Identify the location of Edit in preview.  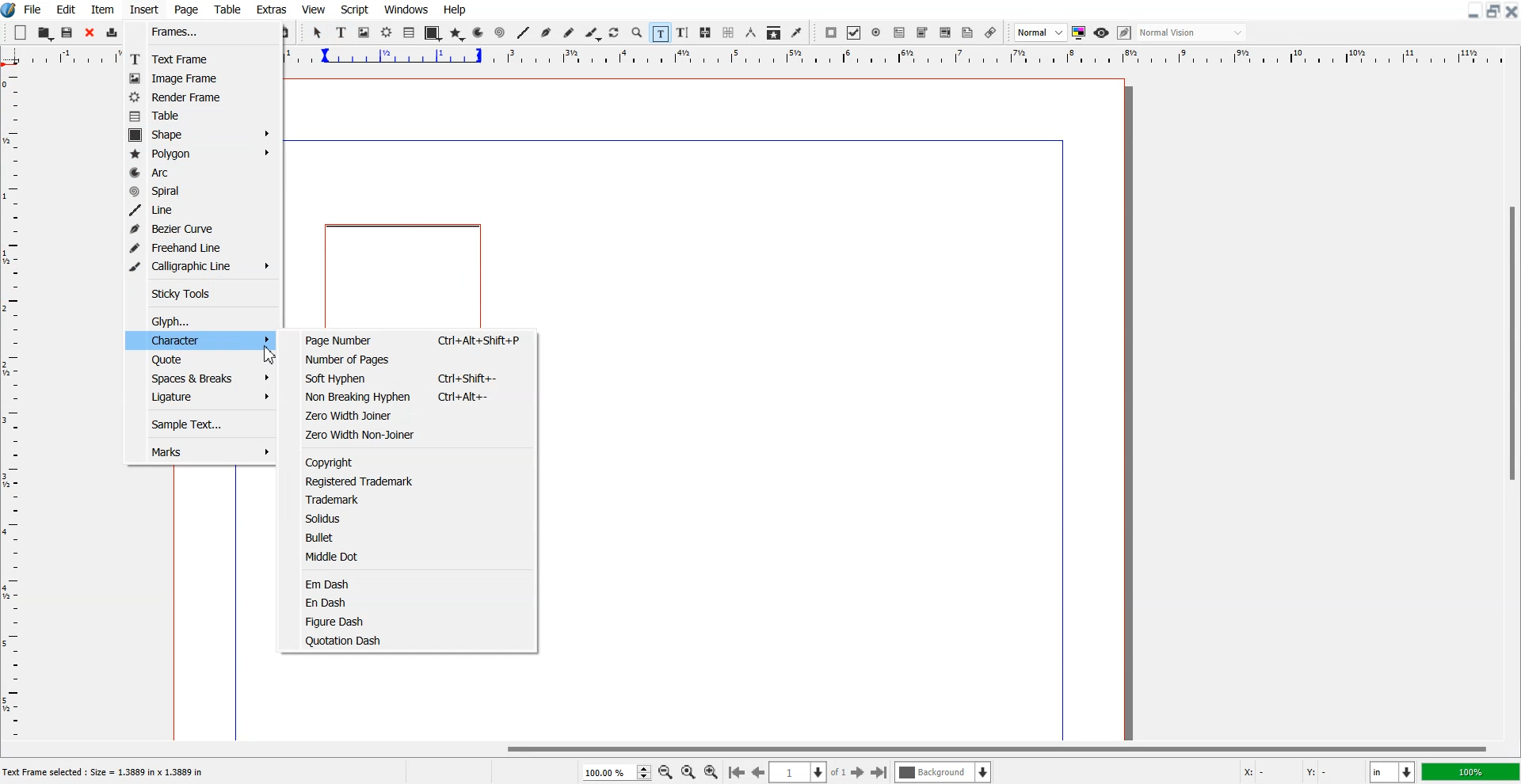
(1126, 33).